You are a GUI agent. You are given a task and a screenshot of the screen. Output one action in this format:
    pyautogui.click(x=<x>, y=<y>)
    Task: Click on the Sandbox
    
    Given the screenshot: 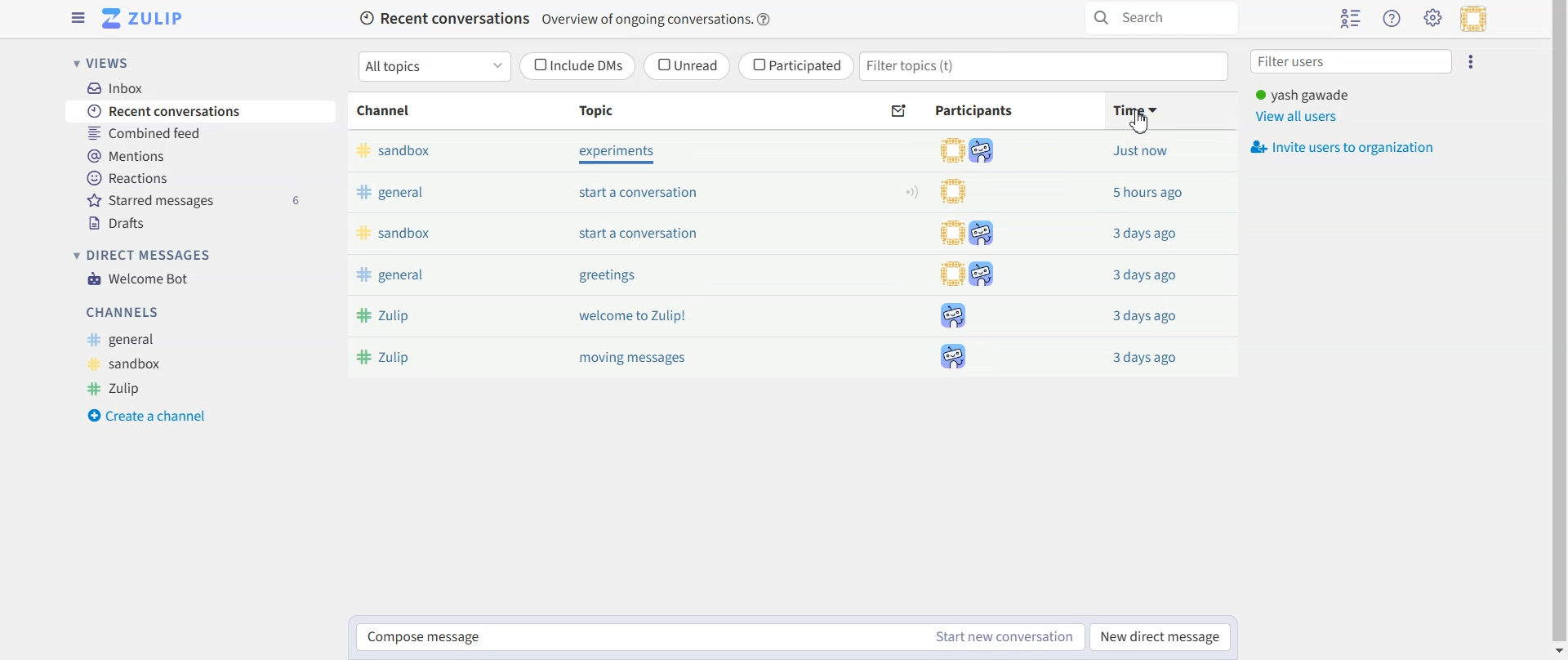 What is the action you would take?
    pyautogui.click(x=122, y=364)
    